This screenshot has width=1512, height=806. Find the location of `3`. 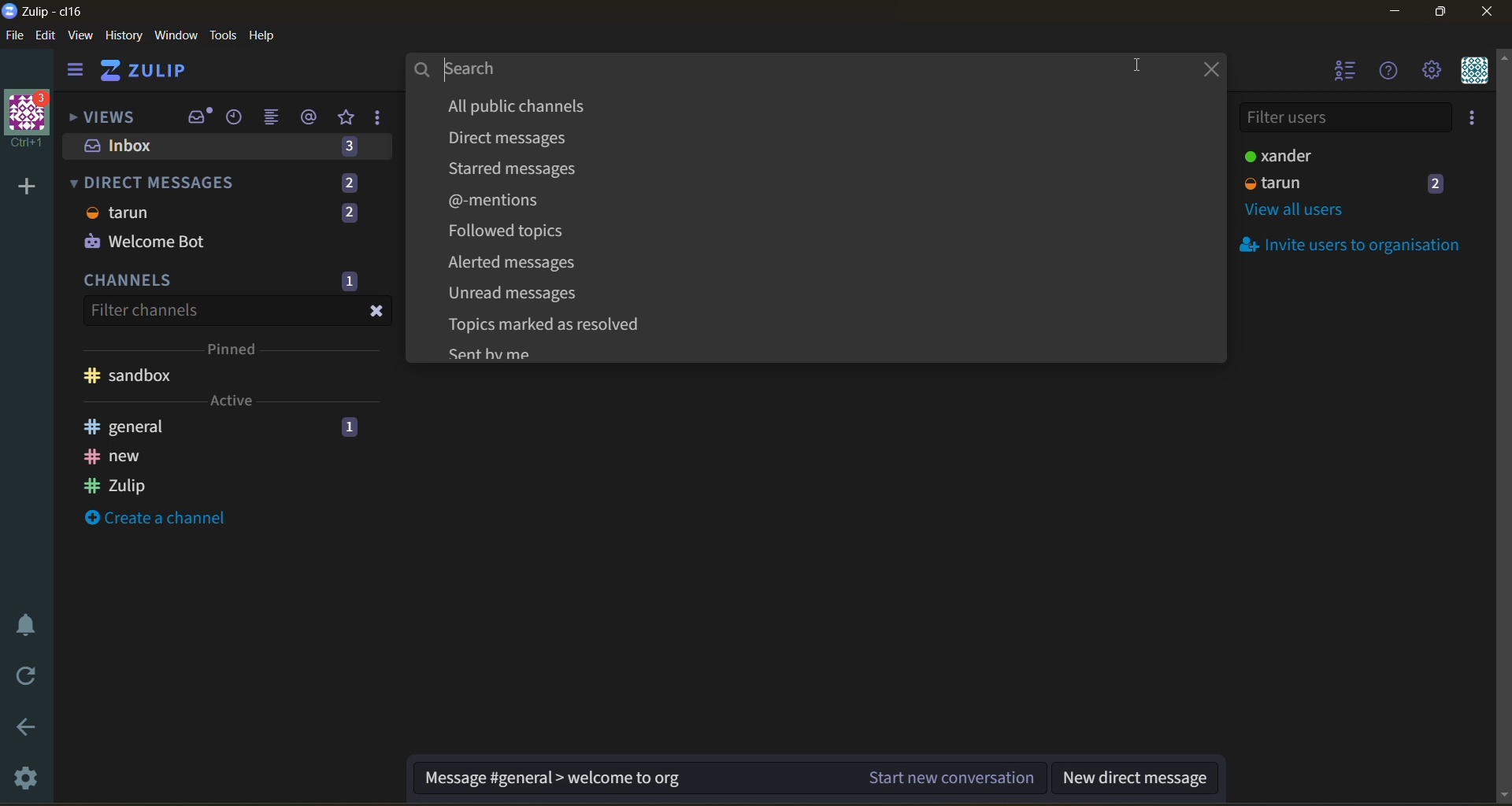

3 is located at coordinates (350, 149).